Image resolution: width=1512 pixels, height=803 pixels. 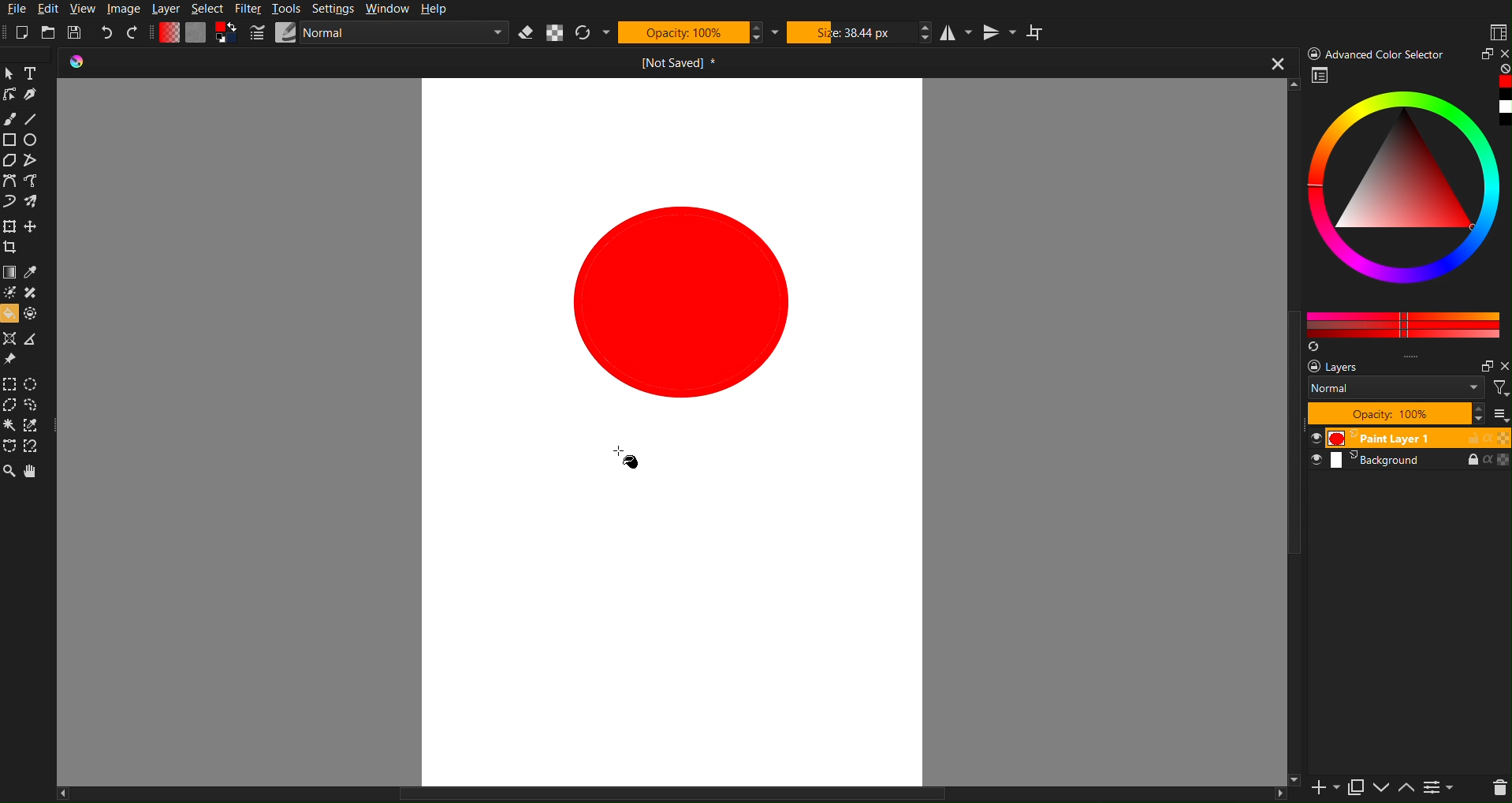 What do you see at coordinates (681, 287) in the screenshot?
I see `Circle` at bounding box center [681, 287].